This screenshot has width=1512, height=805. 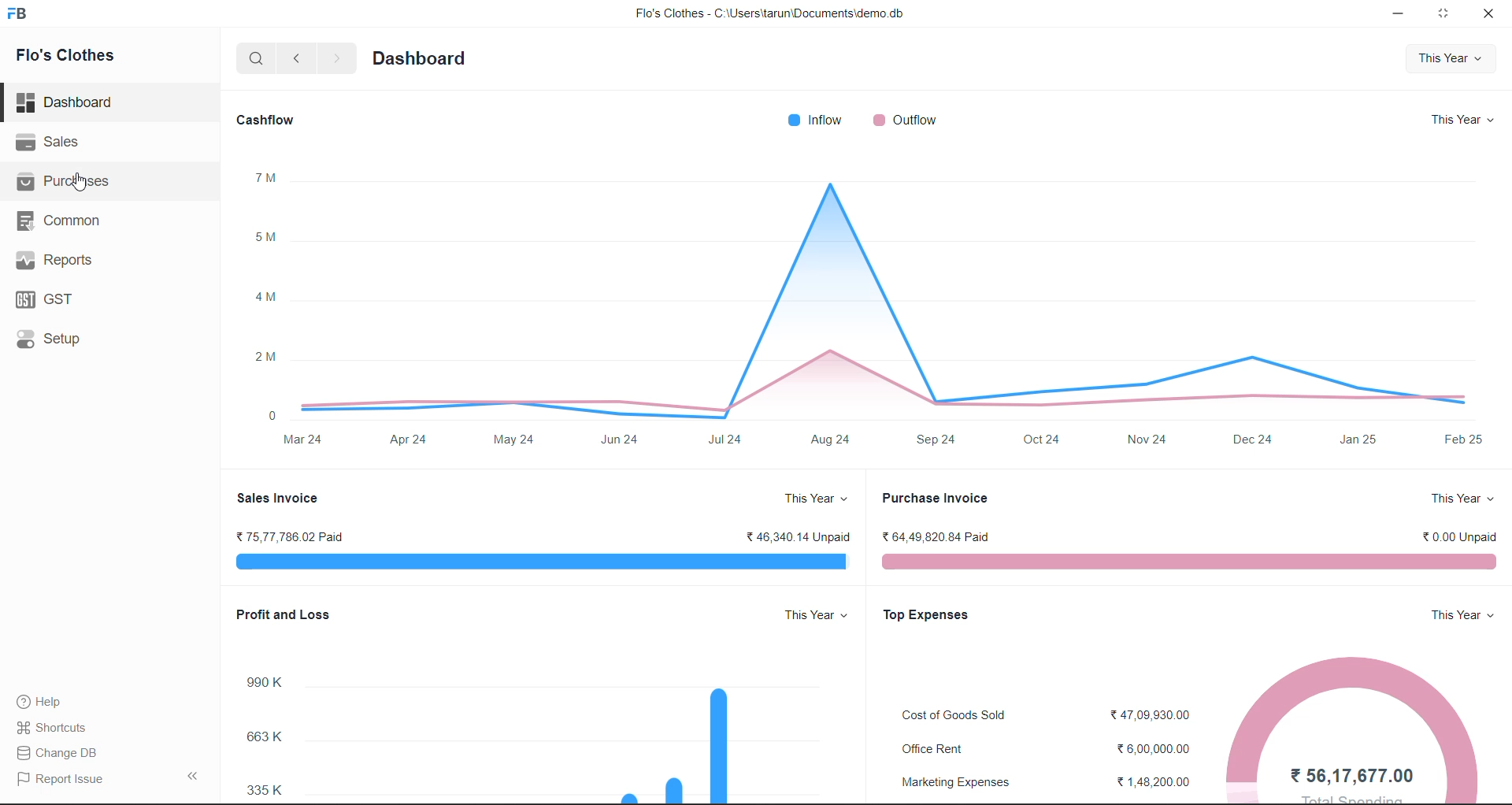 What do you see at coordinates (258, 58) in the screenshot?
I see `search` at bounding box center [258, 58].